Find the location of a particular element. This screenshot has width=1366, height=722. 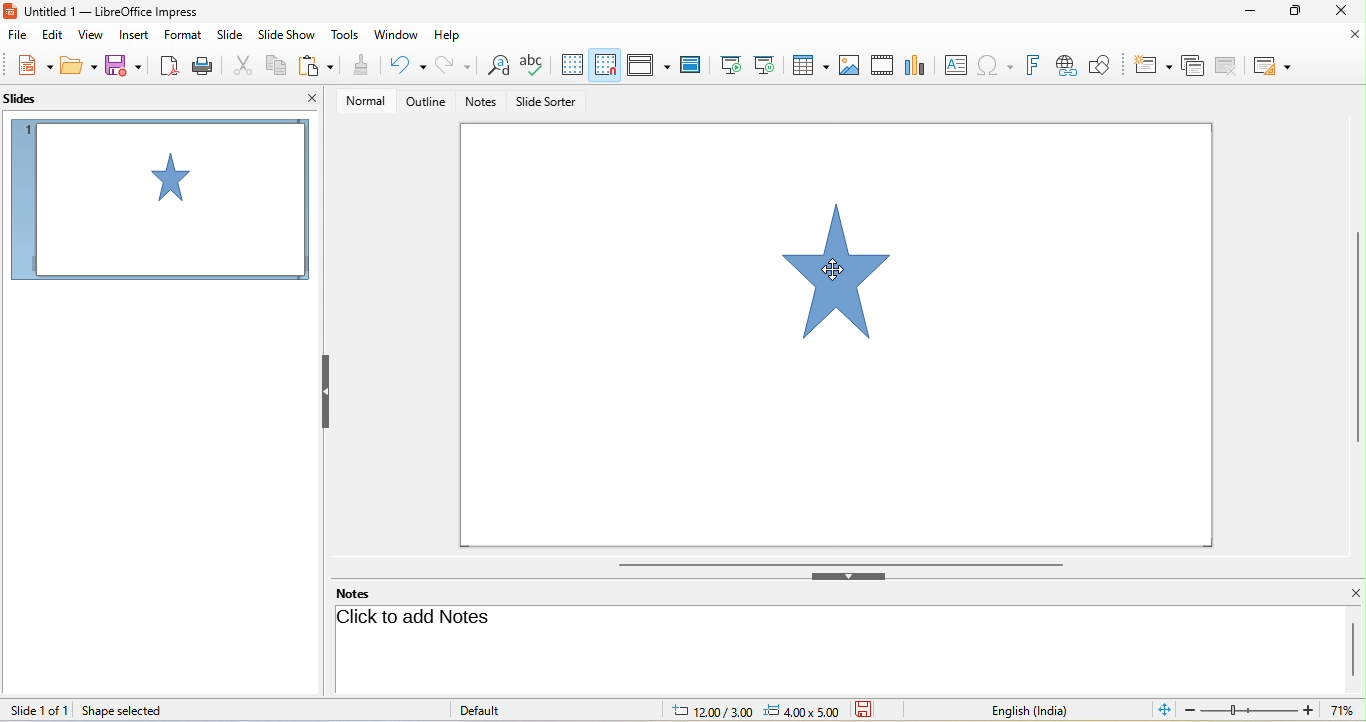

hyperlink is located at coordinates (1066, 65).